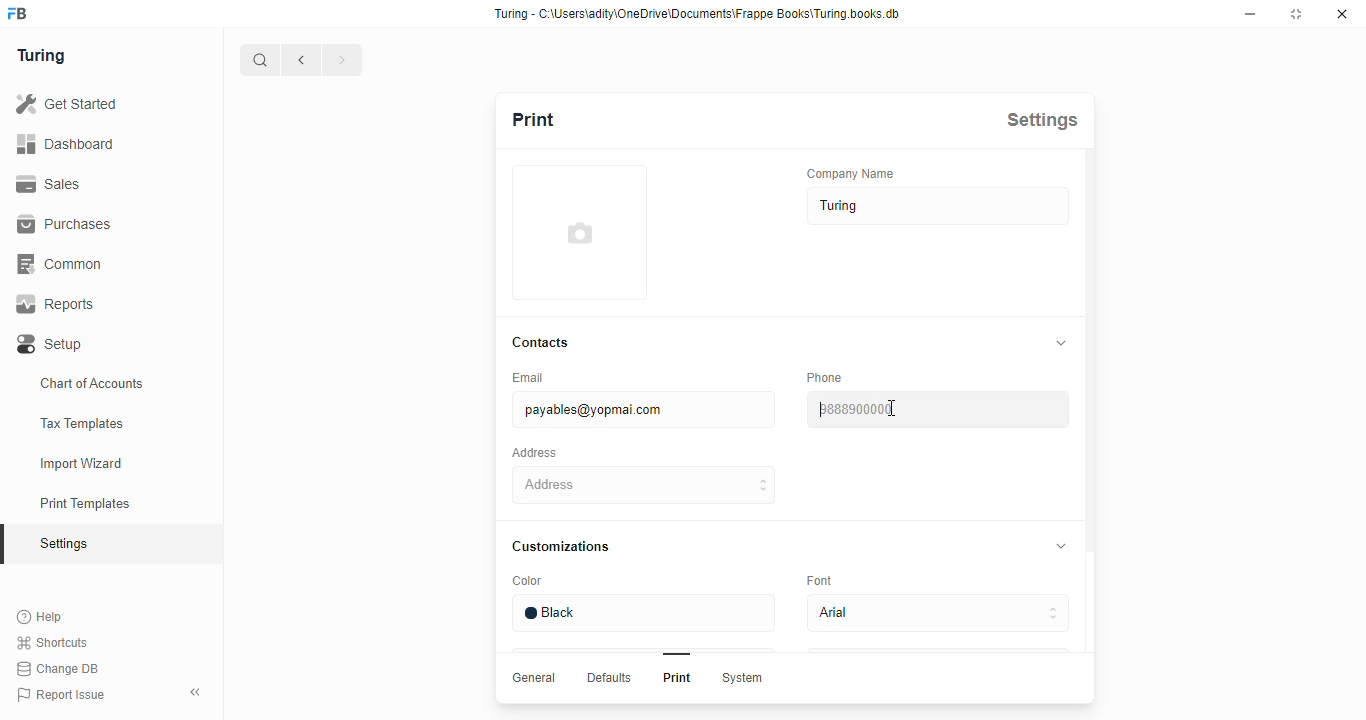 This screenshot has height=720, width=1366. What do you see at coordinates (698, 12) in the screenshot?
I see `Turing - C-\Users\adity\OneDrive\Documents\Frappe Books\Turing.books.db` at bounding box center [698, 12].